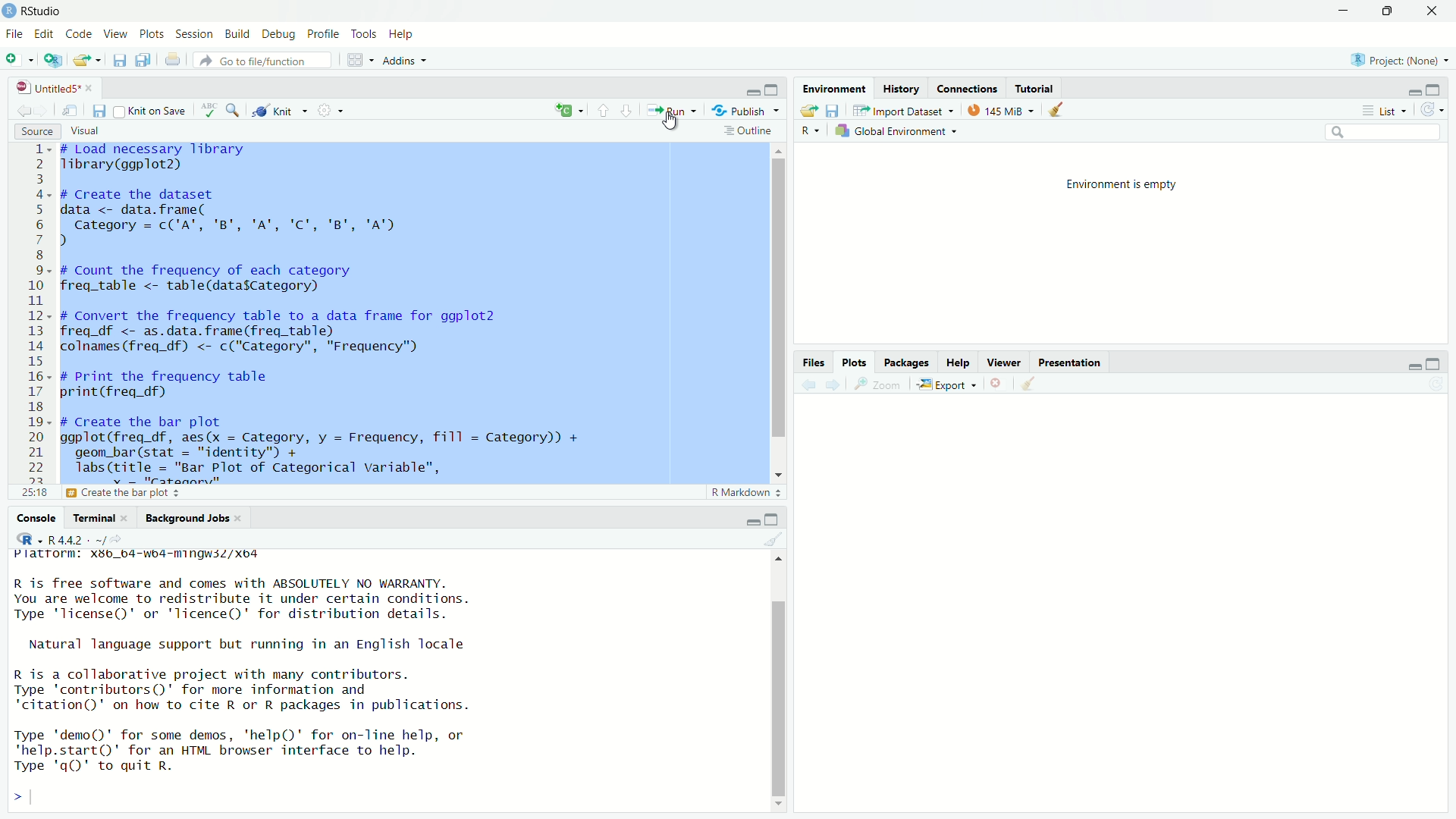 The width and height of the screenshot is (1456, 819). Describe the element at coordinates (38, 132) in the screenshot. I see `source` at that location.